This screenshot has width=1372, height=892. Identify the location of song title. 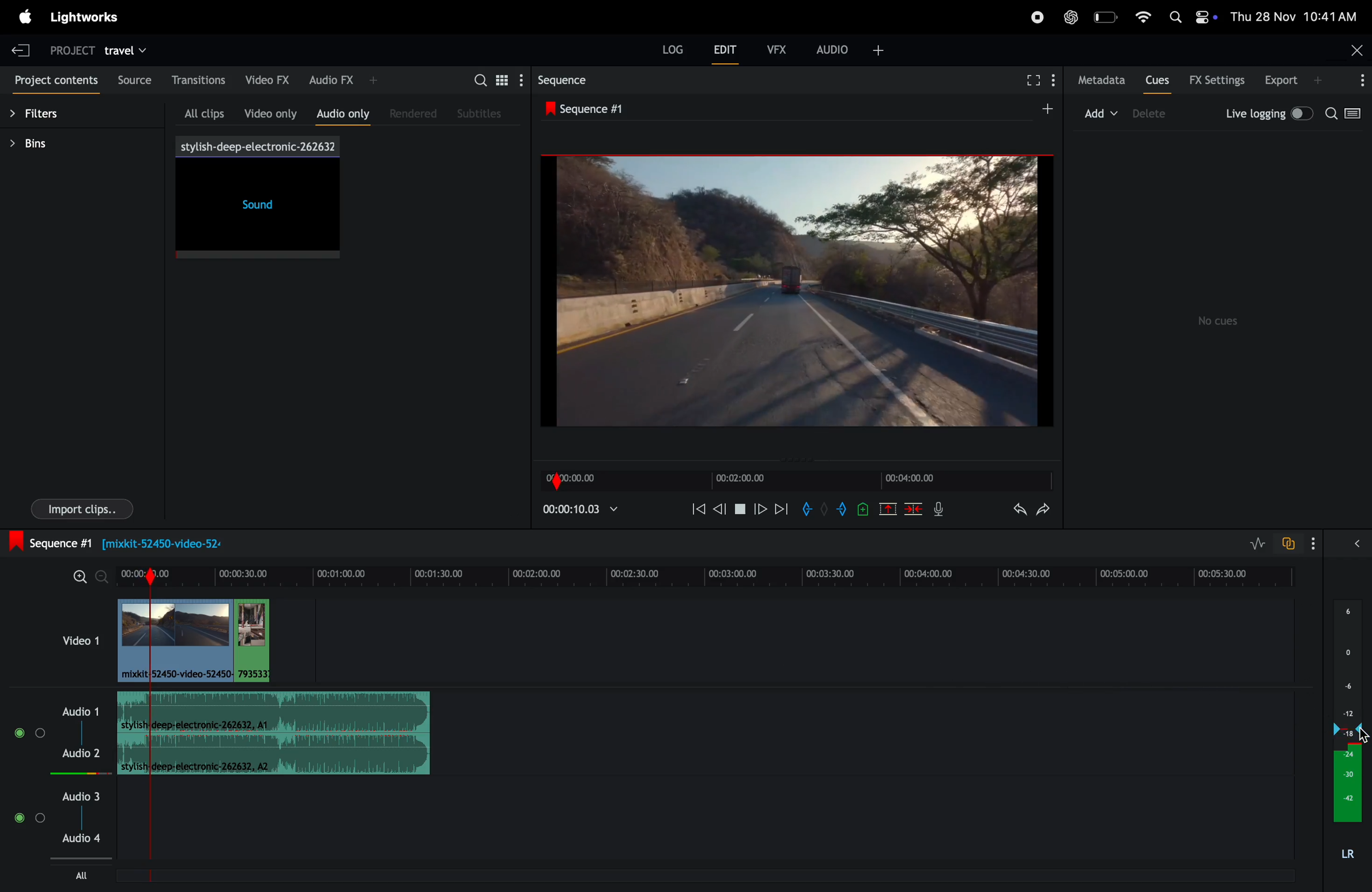
(257, 146).